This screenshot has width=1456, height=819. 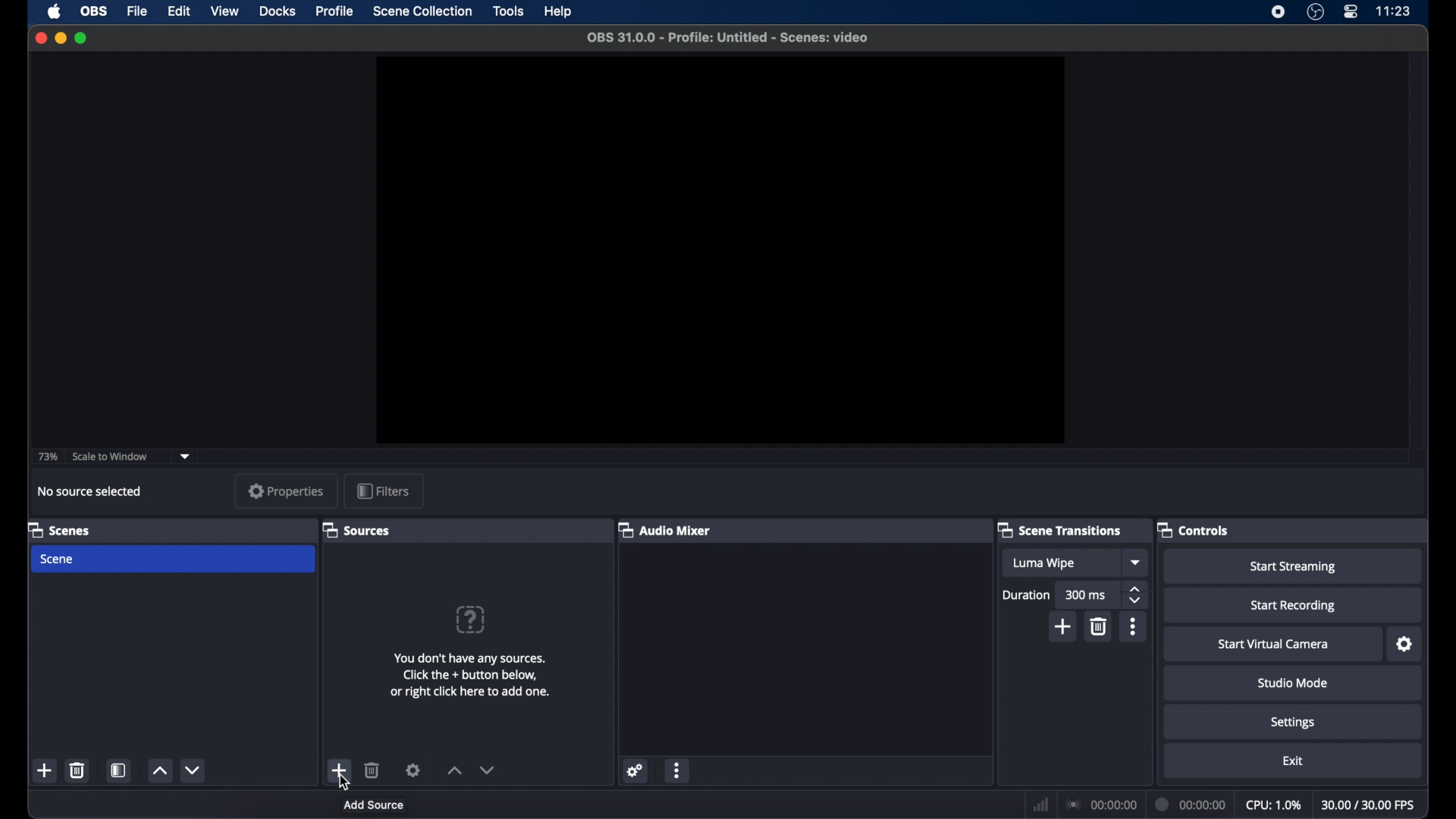 What do you see at coordinates (287, 490) in the screenshot?
I see `properties` at bounding box center [287, 490].